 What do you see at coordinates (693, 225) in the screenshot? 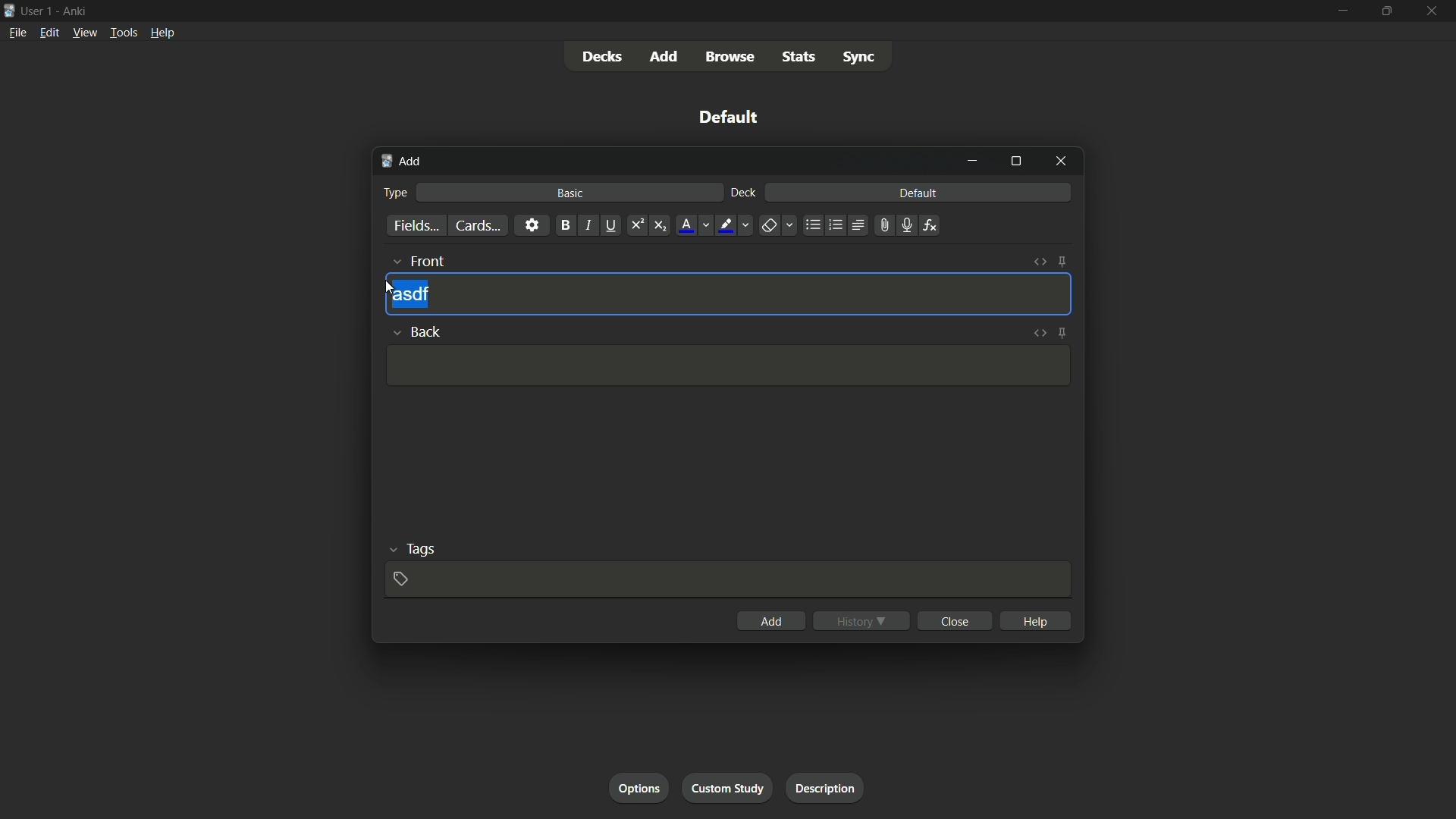
I see `font color` at bounding box center [693, 225].